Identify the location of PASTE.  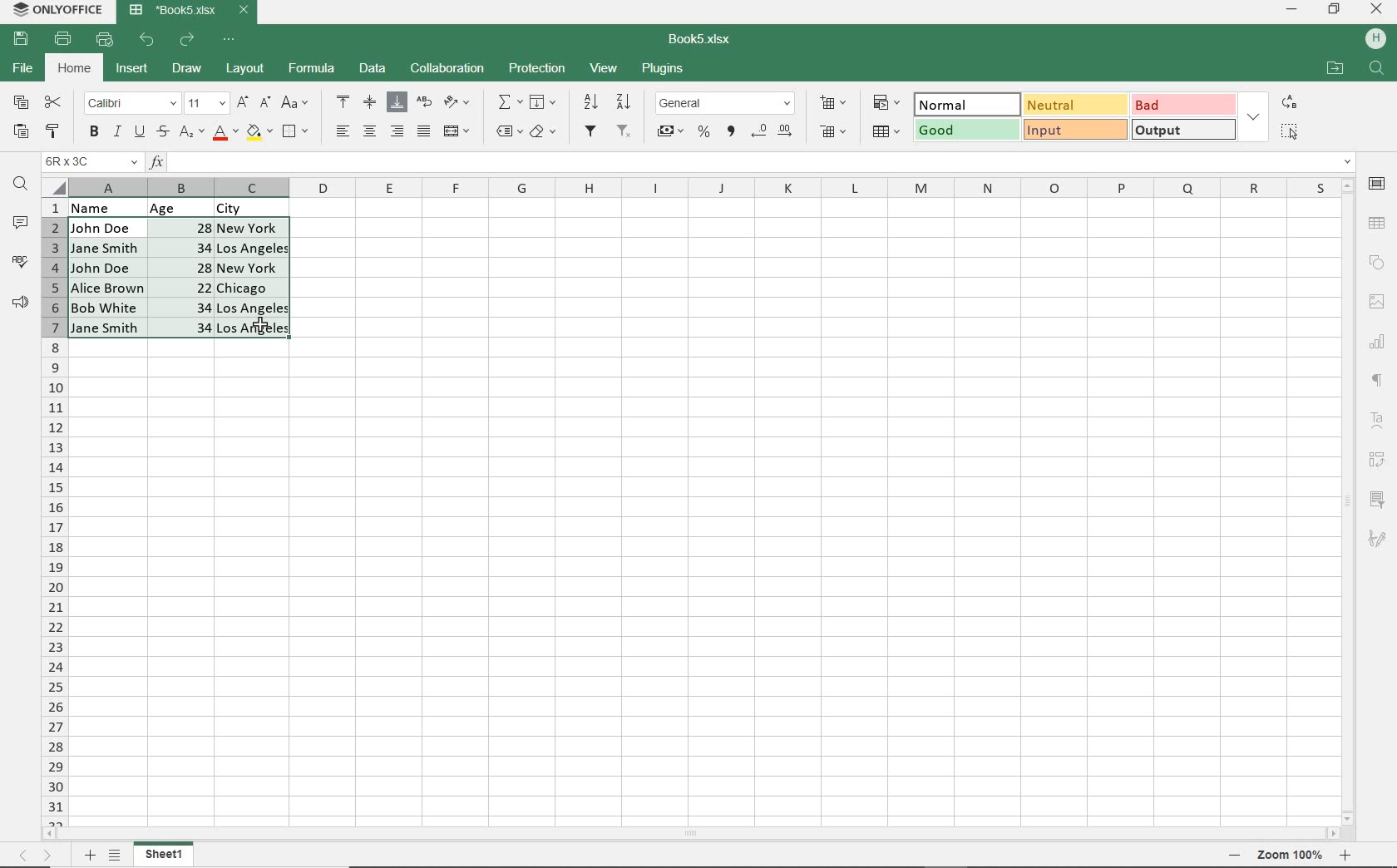
(21, 132).